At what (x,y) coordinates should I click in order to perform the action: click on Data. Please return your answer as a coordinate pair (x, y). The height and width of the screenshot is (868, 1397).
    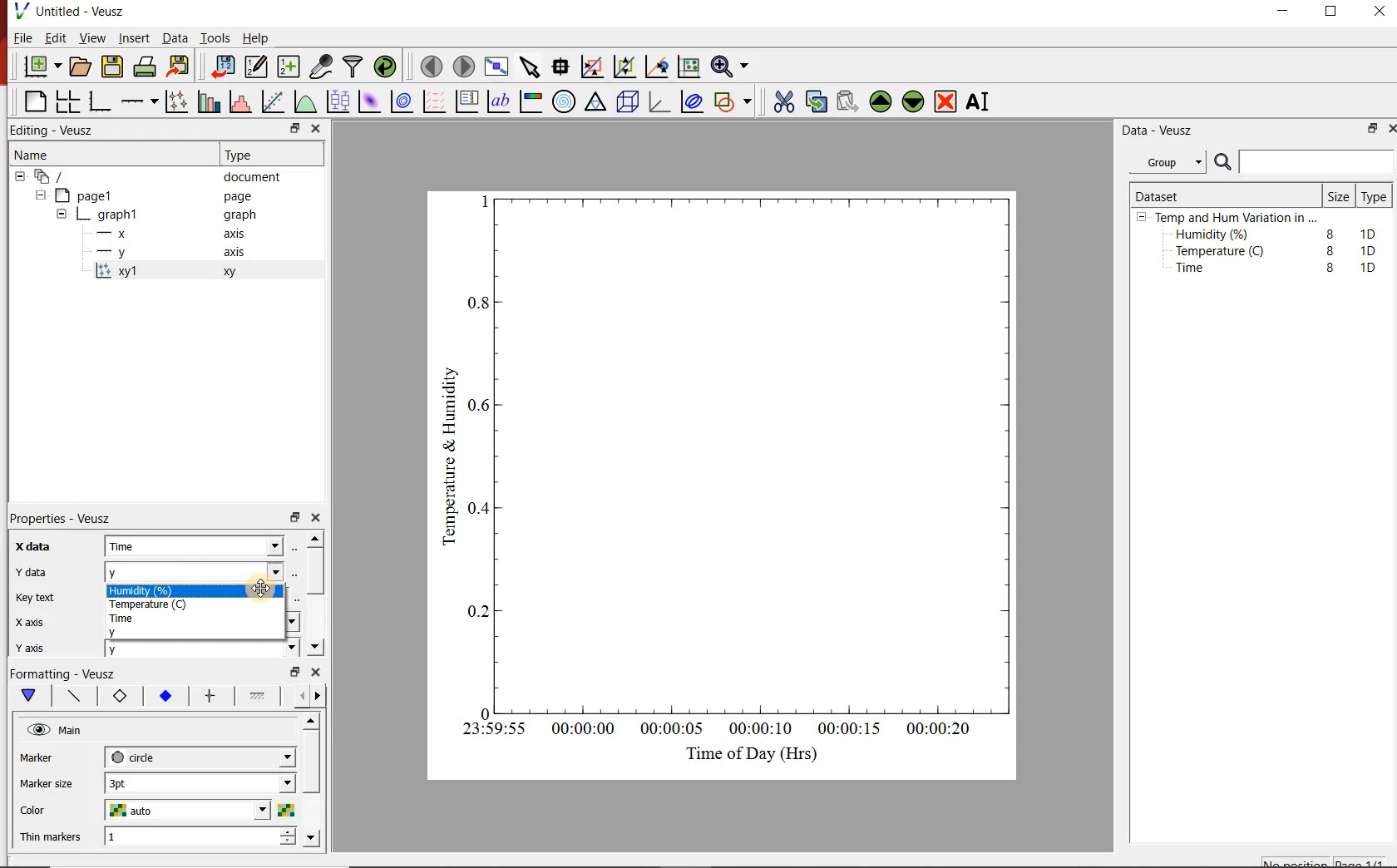
    Looking at the image, I should click on (171, 38).